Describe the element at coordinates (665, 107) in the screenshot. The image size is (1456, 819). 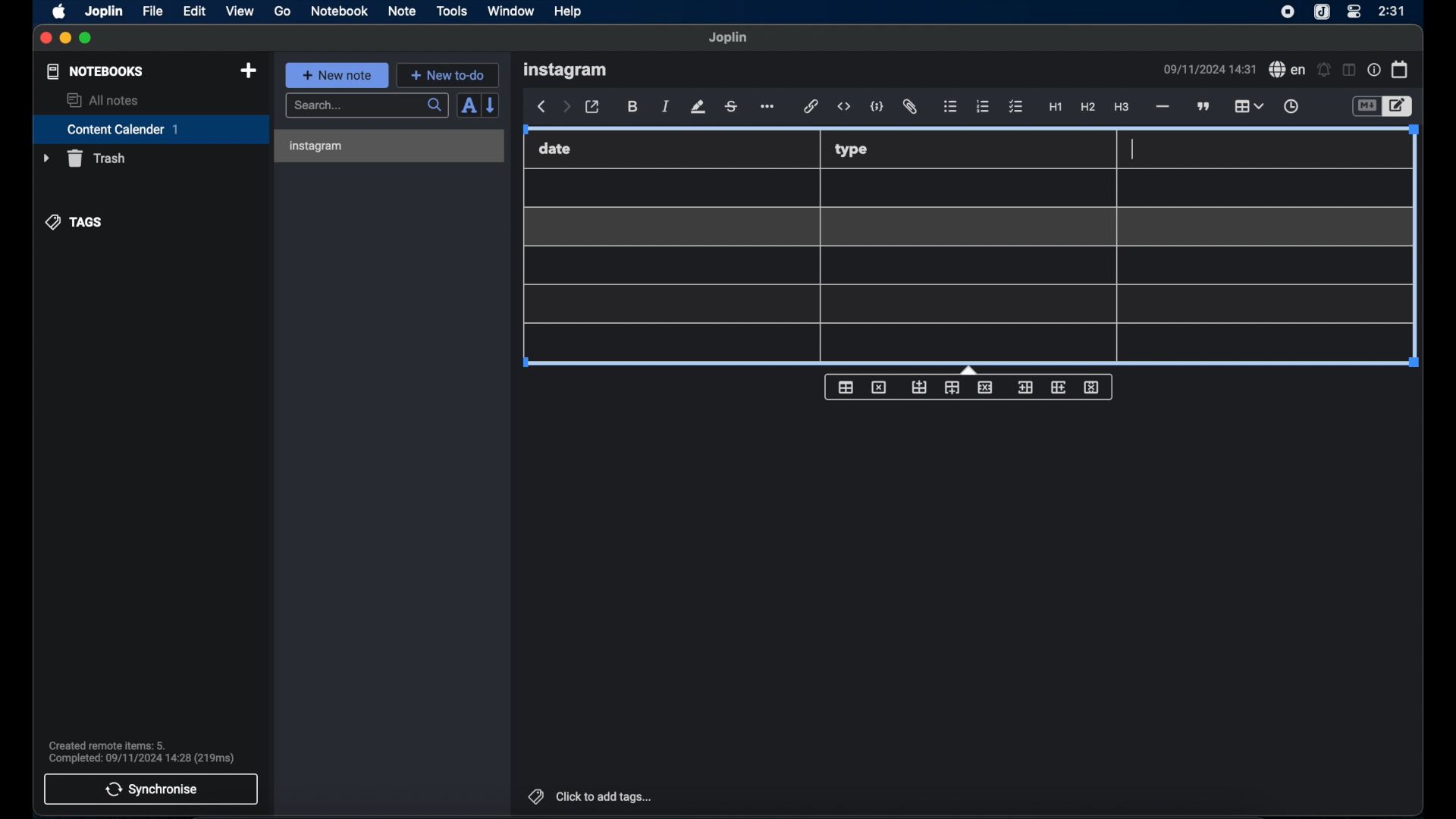
I see `italic` at that location.